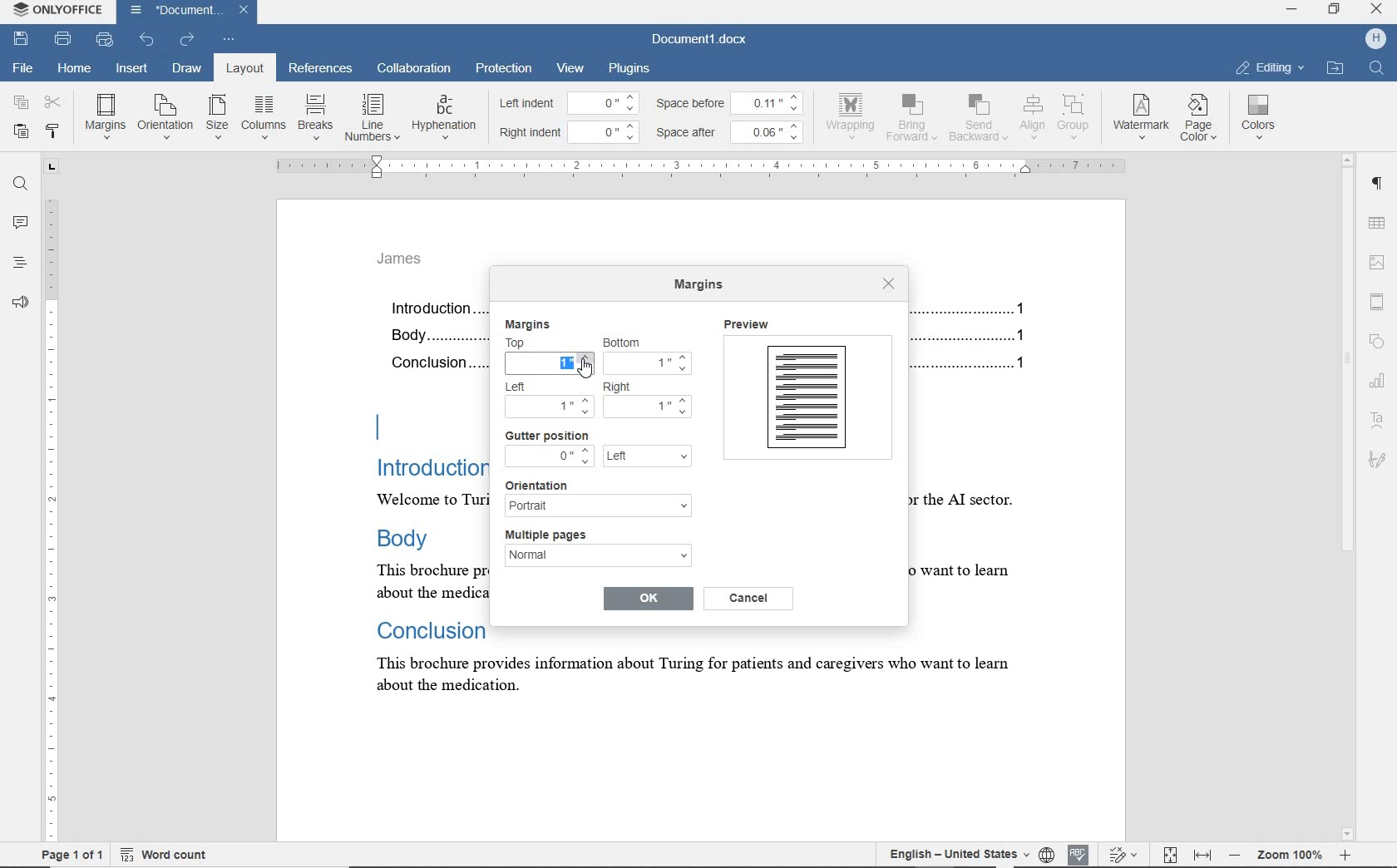  Describe the element at coordinates (807, 393) in the screenshot. I see `preview` at that location.